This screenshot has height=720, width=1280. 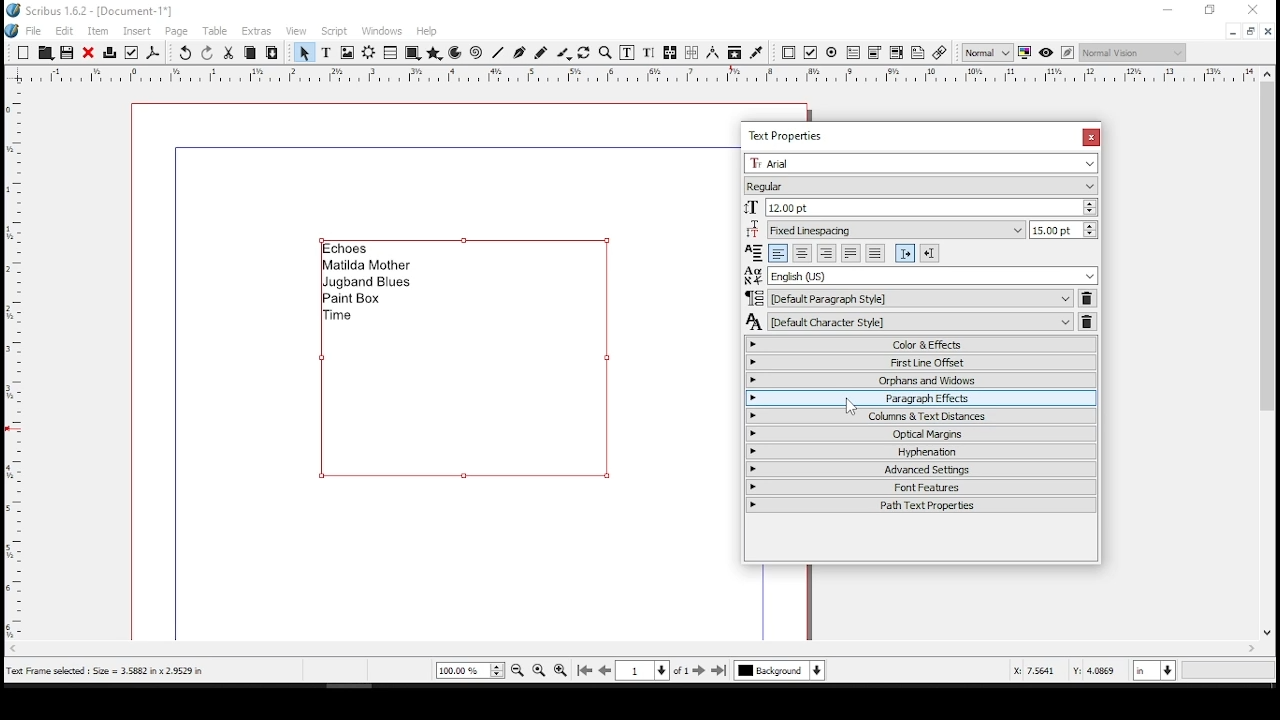 What do you see at coordinates (520, 54) in the screenshot?
I see `bezeir tool` at bounding box center [520, 54].